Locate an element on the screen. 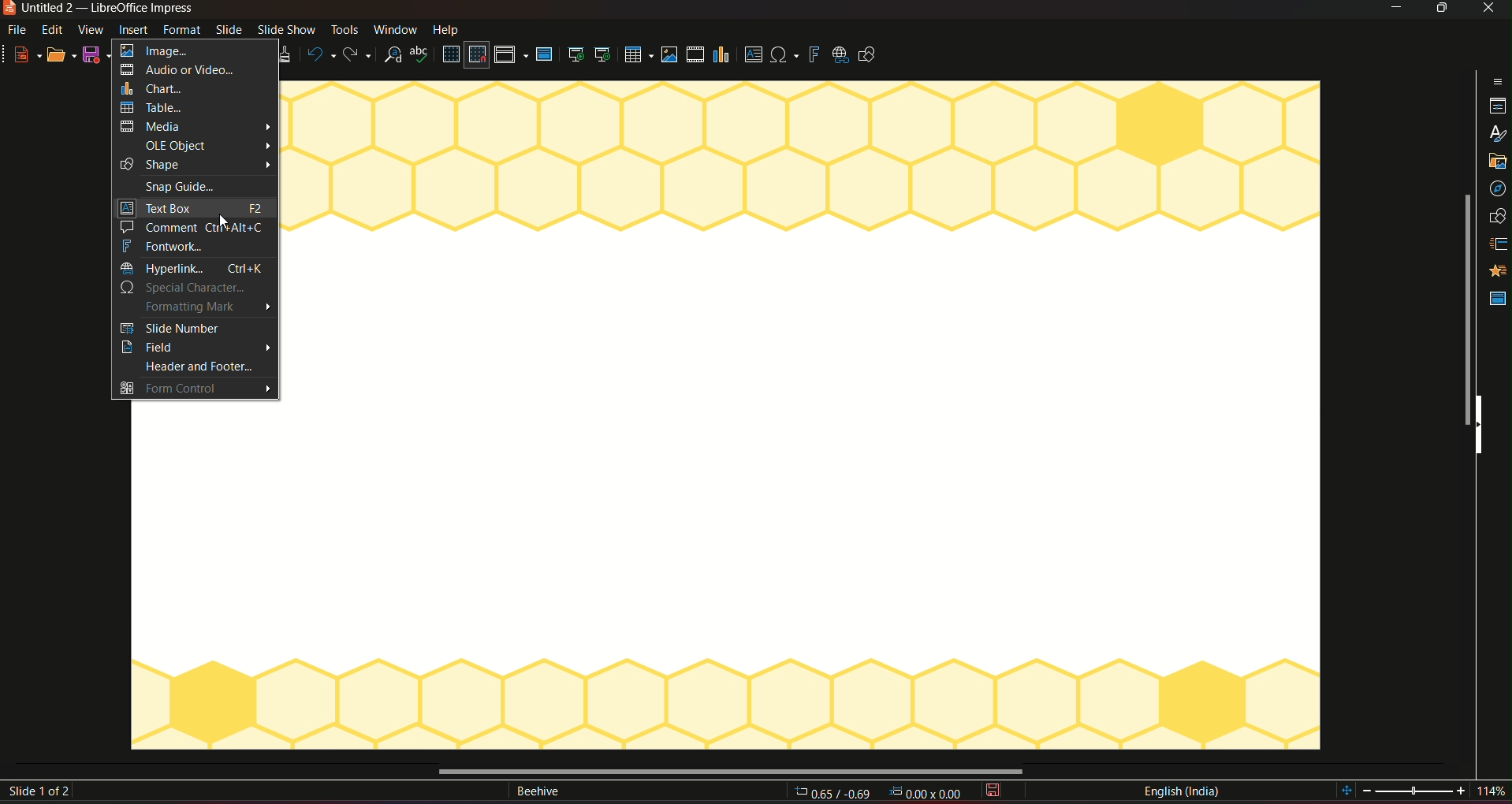 This screenshot has width=1512, height=804. animation is located at coordinates (1497, 270).